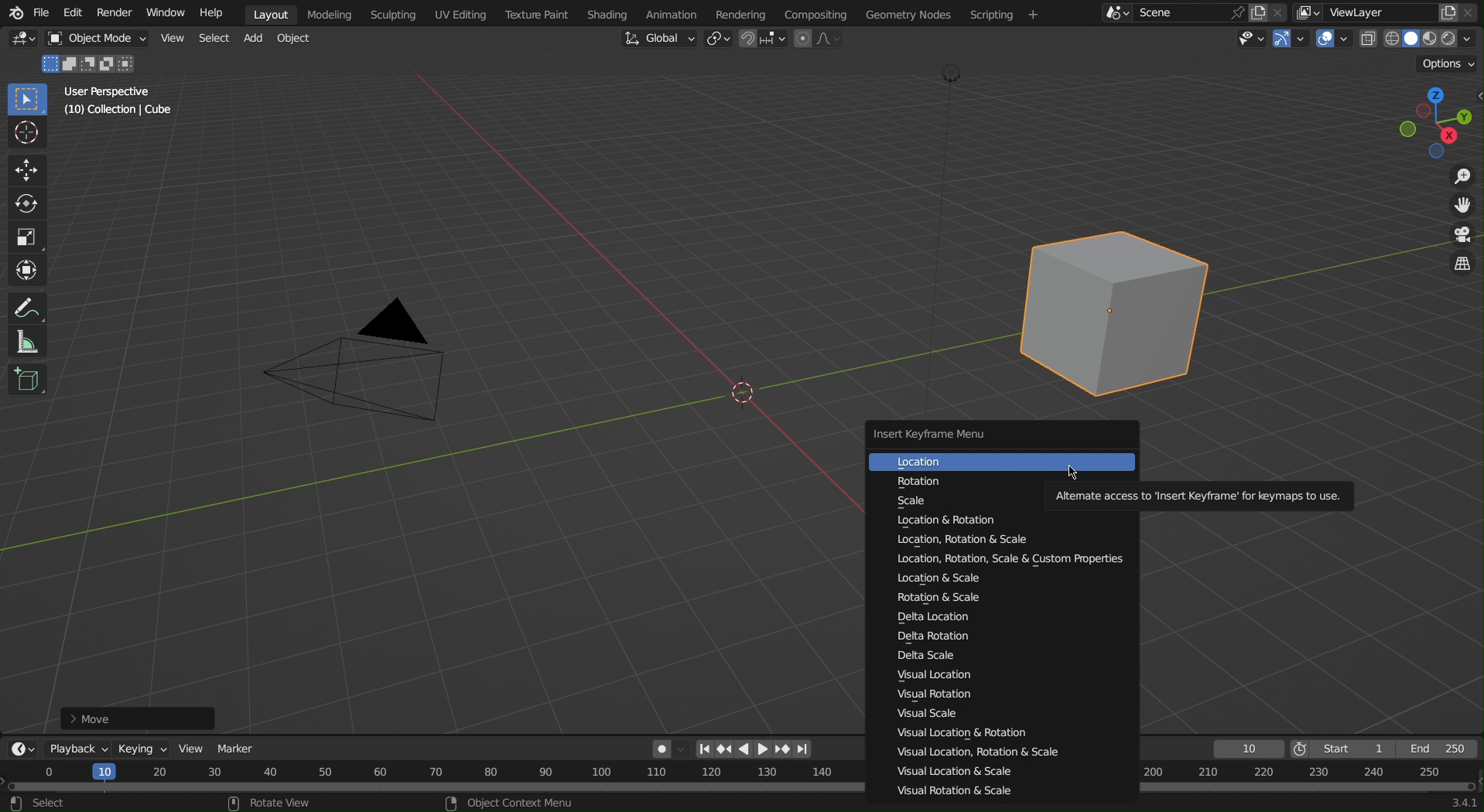 The image size is (1484, 812). What do you see at coordinates (979, 434) in the screenshot?
I see `Insert Keyframe Menu` at bounding box center [979, 434].